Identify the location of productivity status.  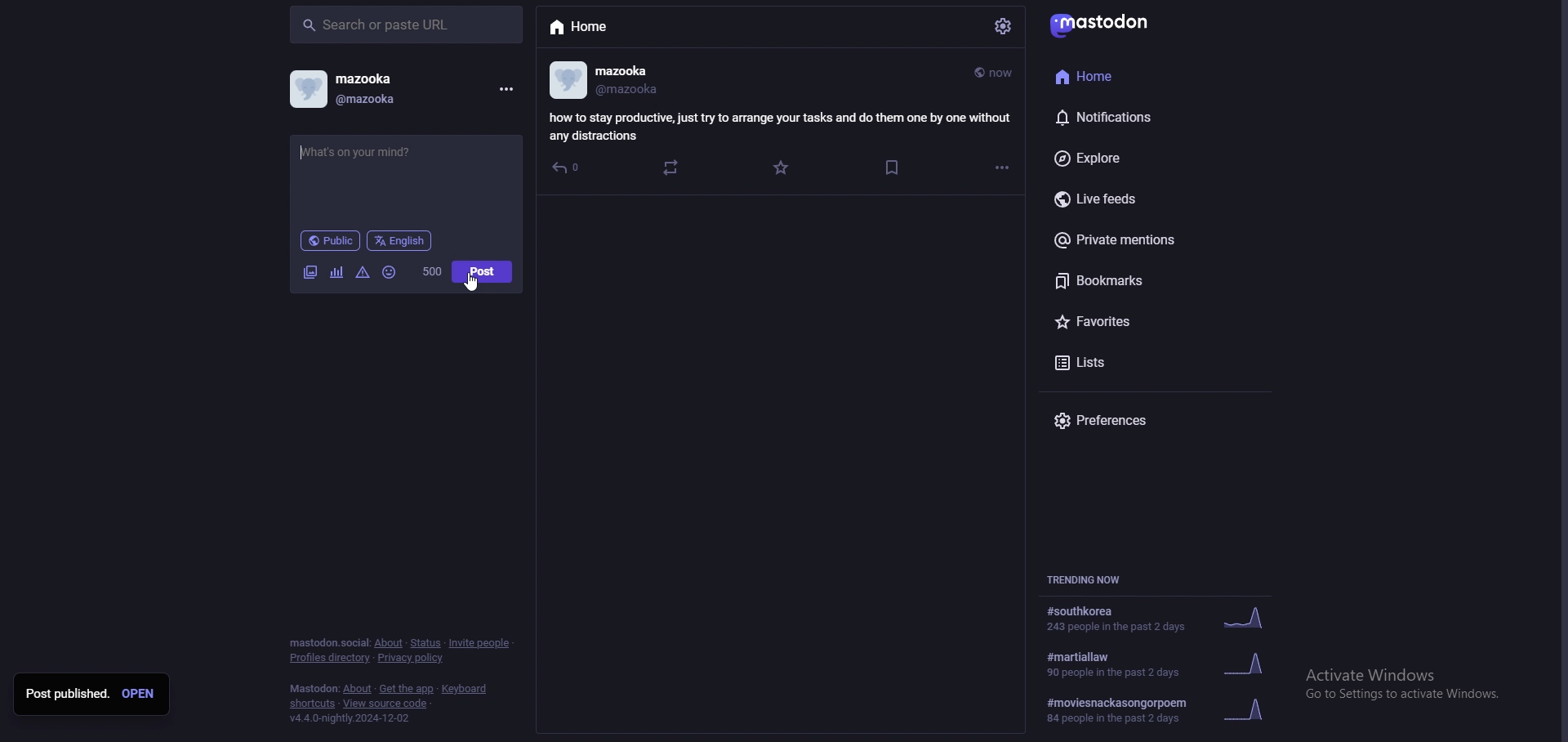
(779, 126).